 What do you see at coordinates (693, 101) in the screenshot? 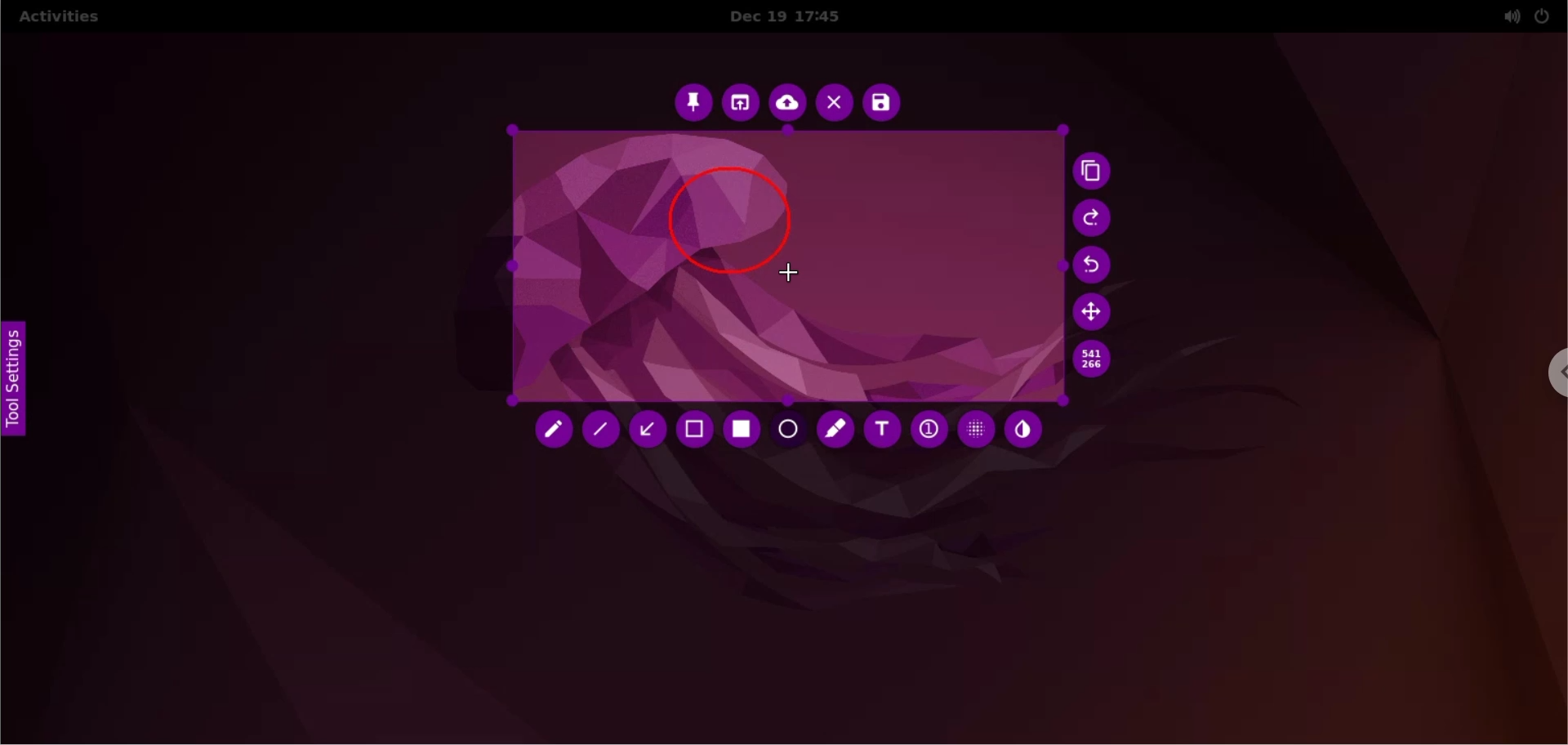
I see `pin` at bounding box center [693, 101].